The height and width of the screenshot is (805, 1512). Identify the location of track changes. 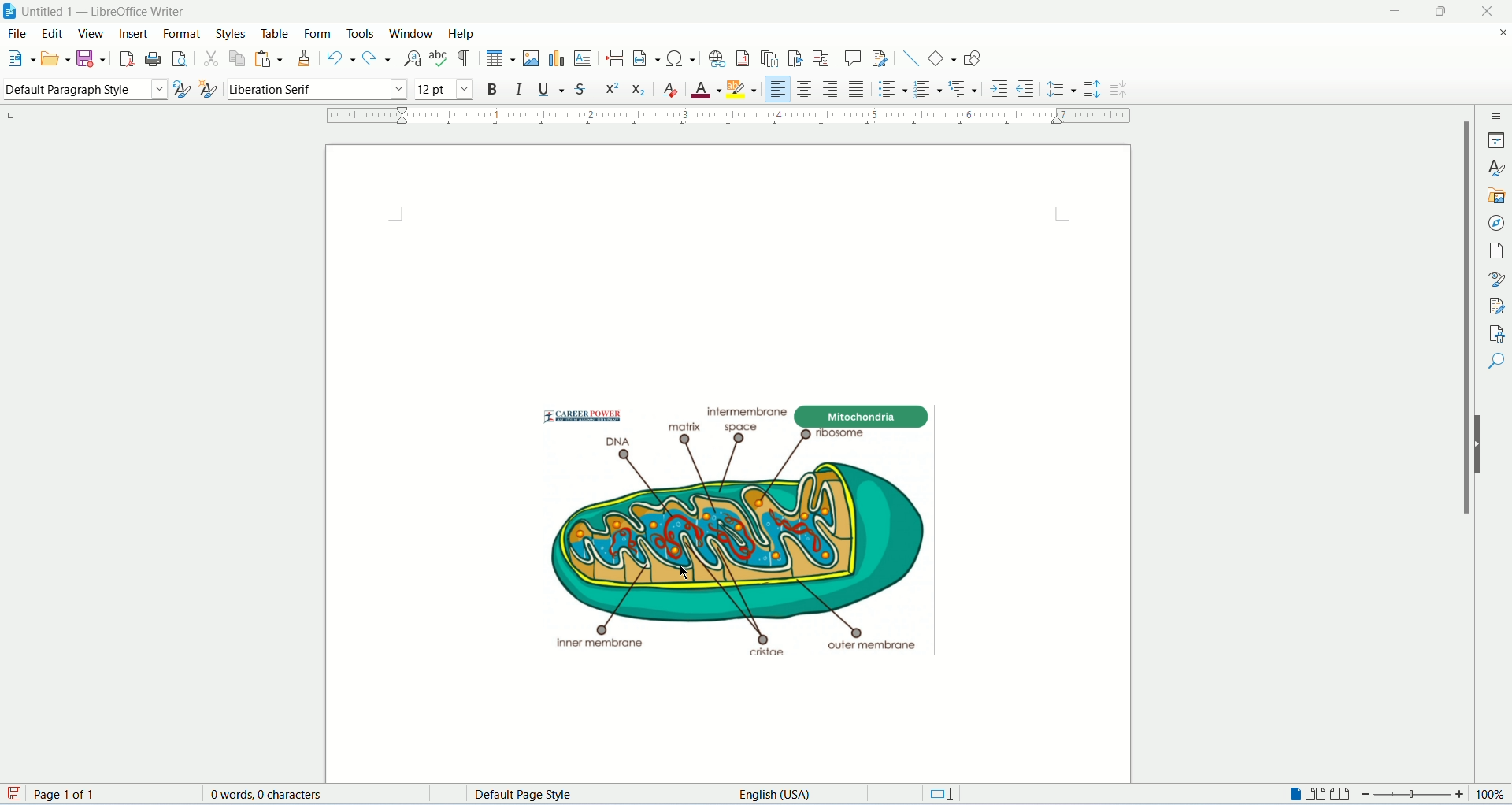
(880, 58).